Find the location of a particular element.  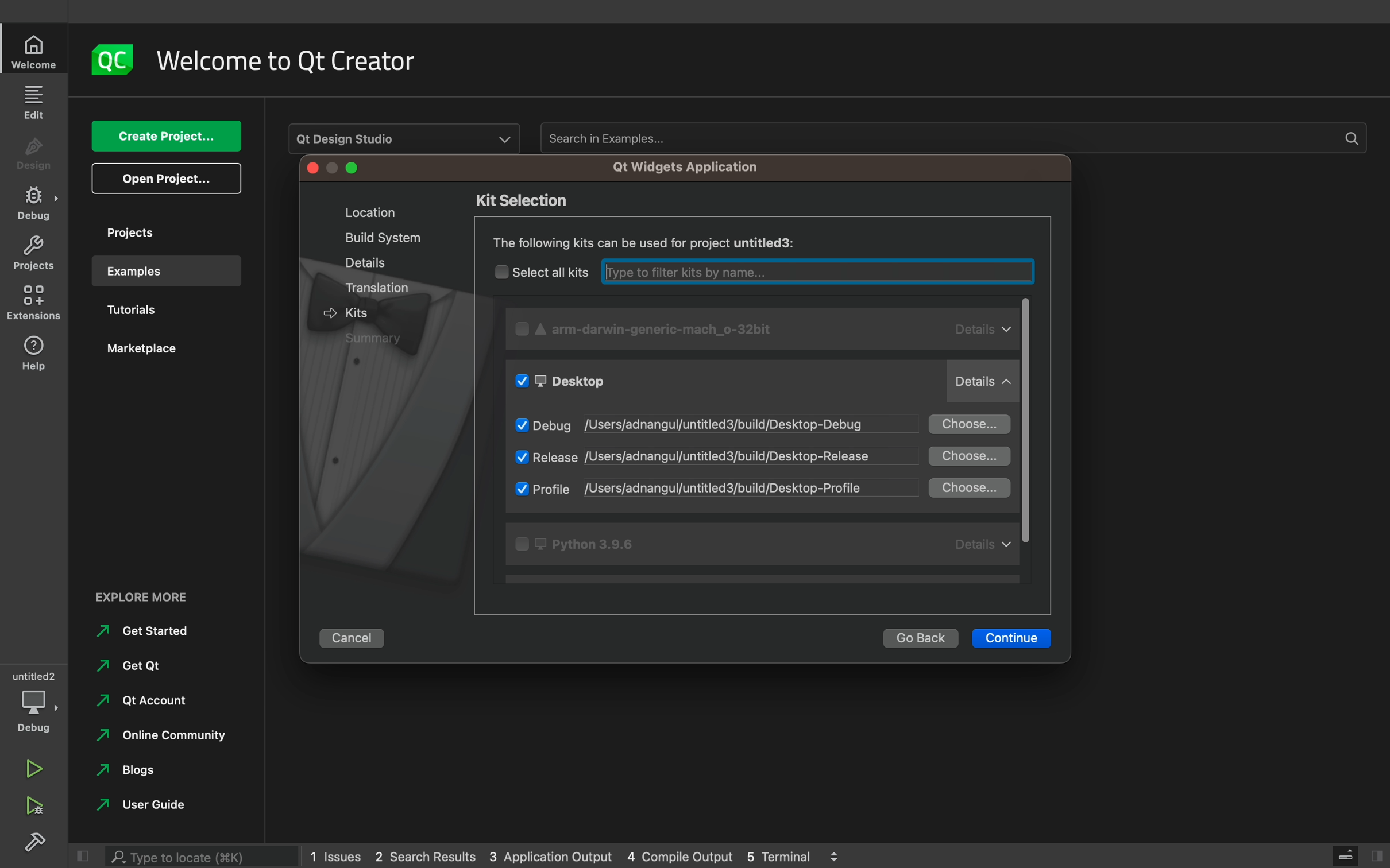

 is located at coordinates (138, 808).